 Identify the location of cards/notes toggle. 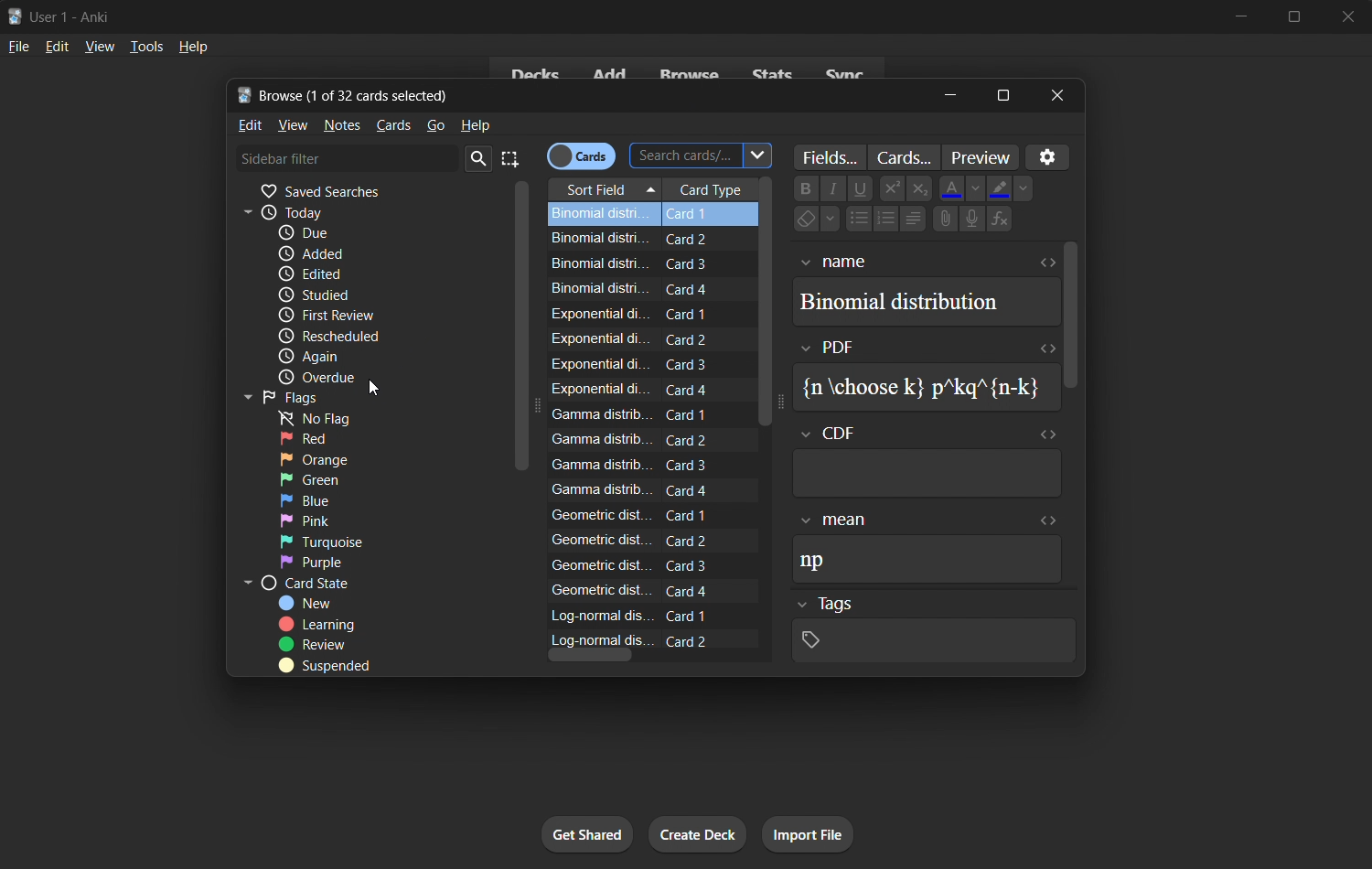
(580, 157).